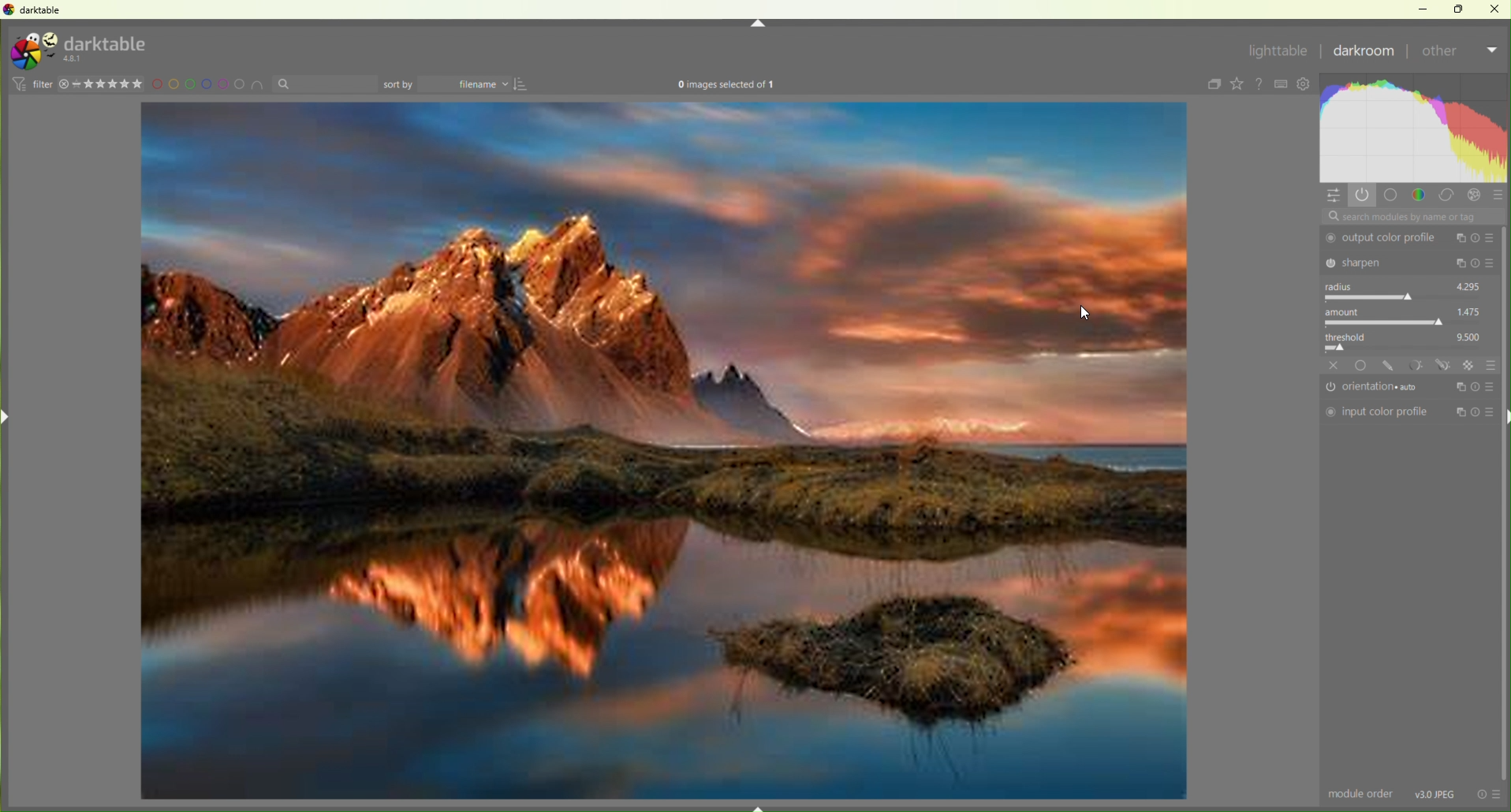 The image size is (1511, 812). Describe the element at coordinates (1334, 365) in the screenshot. I see `close` at that location.